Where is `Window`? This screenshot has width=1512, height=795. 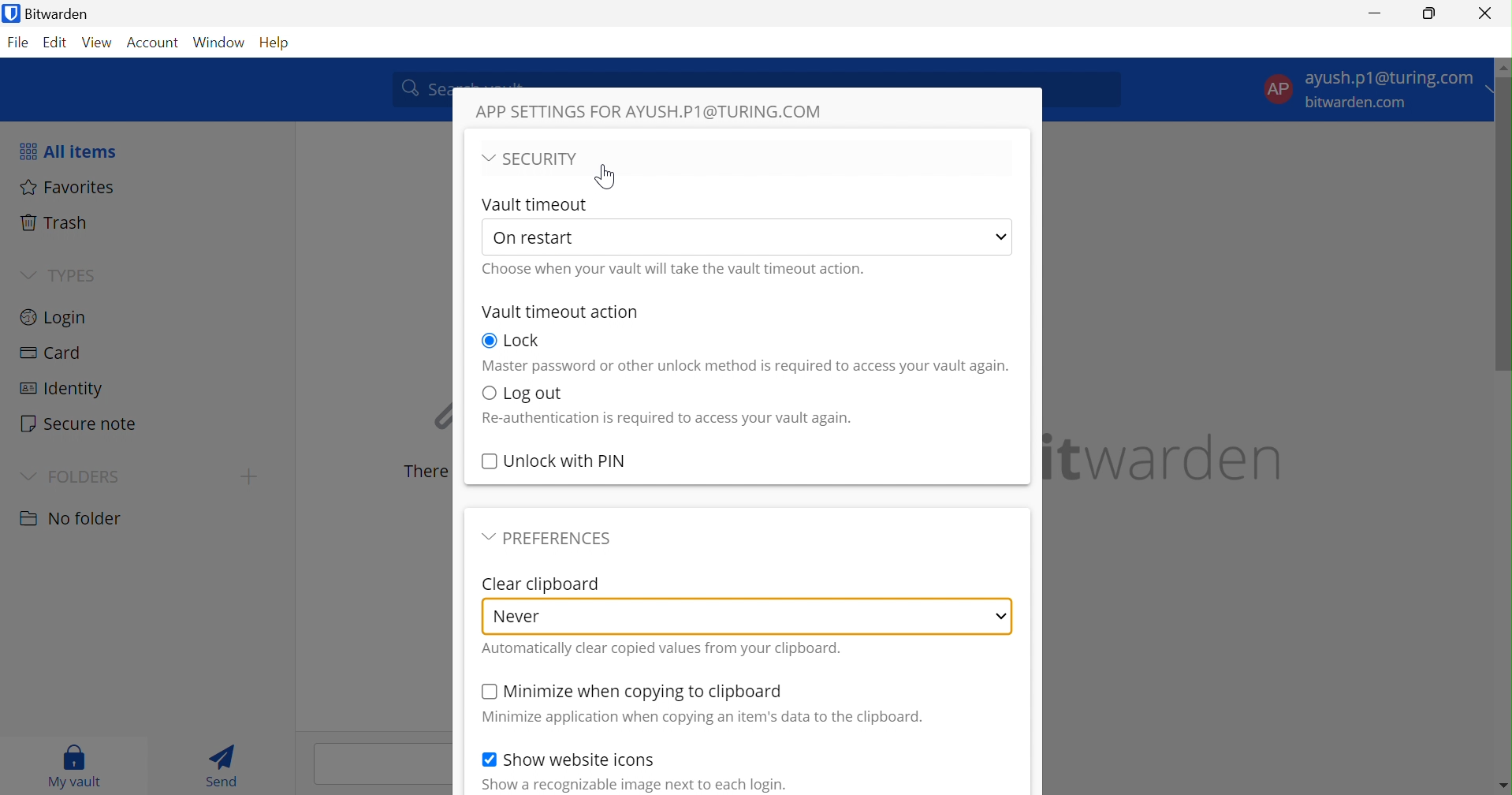 Window is located at coordinates (220, 41).